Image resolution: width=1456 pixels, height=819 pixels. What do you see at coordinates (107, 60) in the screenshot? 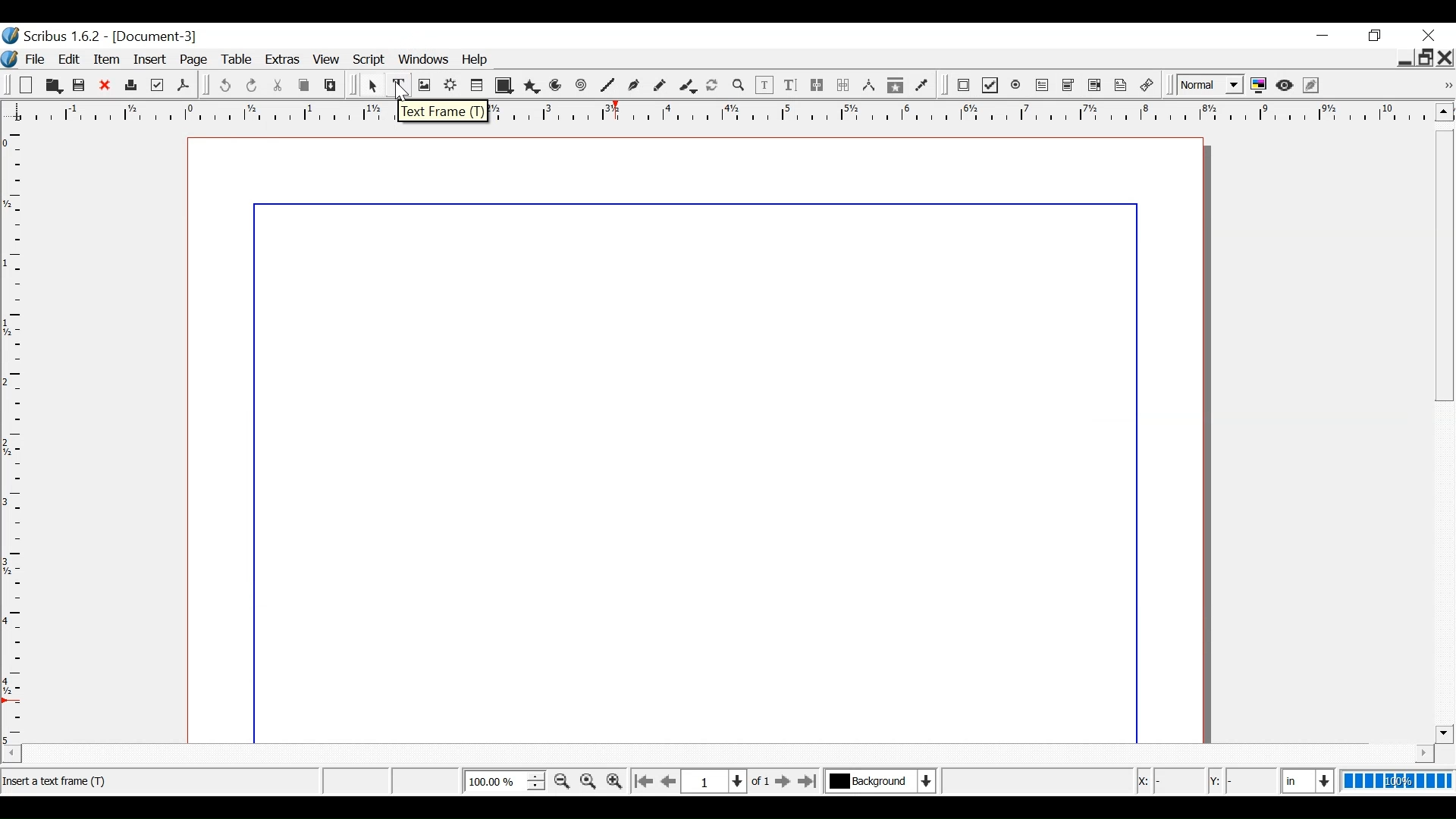
I see `Item` at bounding box center [107, 60].